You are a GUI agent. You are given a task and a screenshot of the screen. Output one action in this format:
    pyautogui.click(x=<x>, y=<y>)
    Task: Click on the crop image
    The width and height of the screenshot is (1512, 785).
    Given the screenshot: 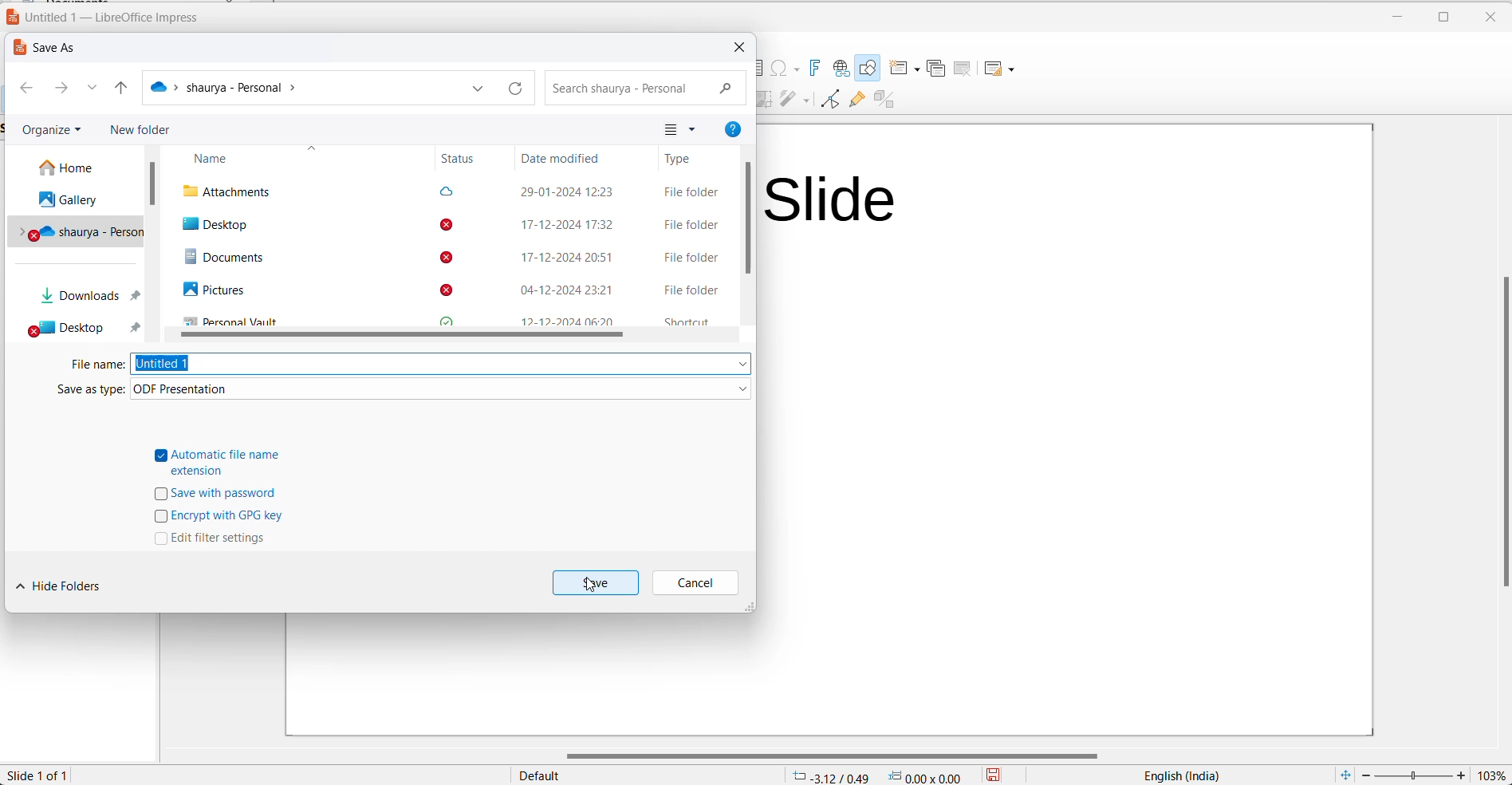 What is the action you would take?
    pyautogui.click(x=766, y=101)
    